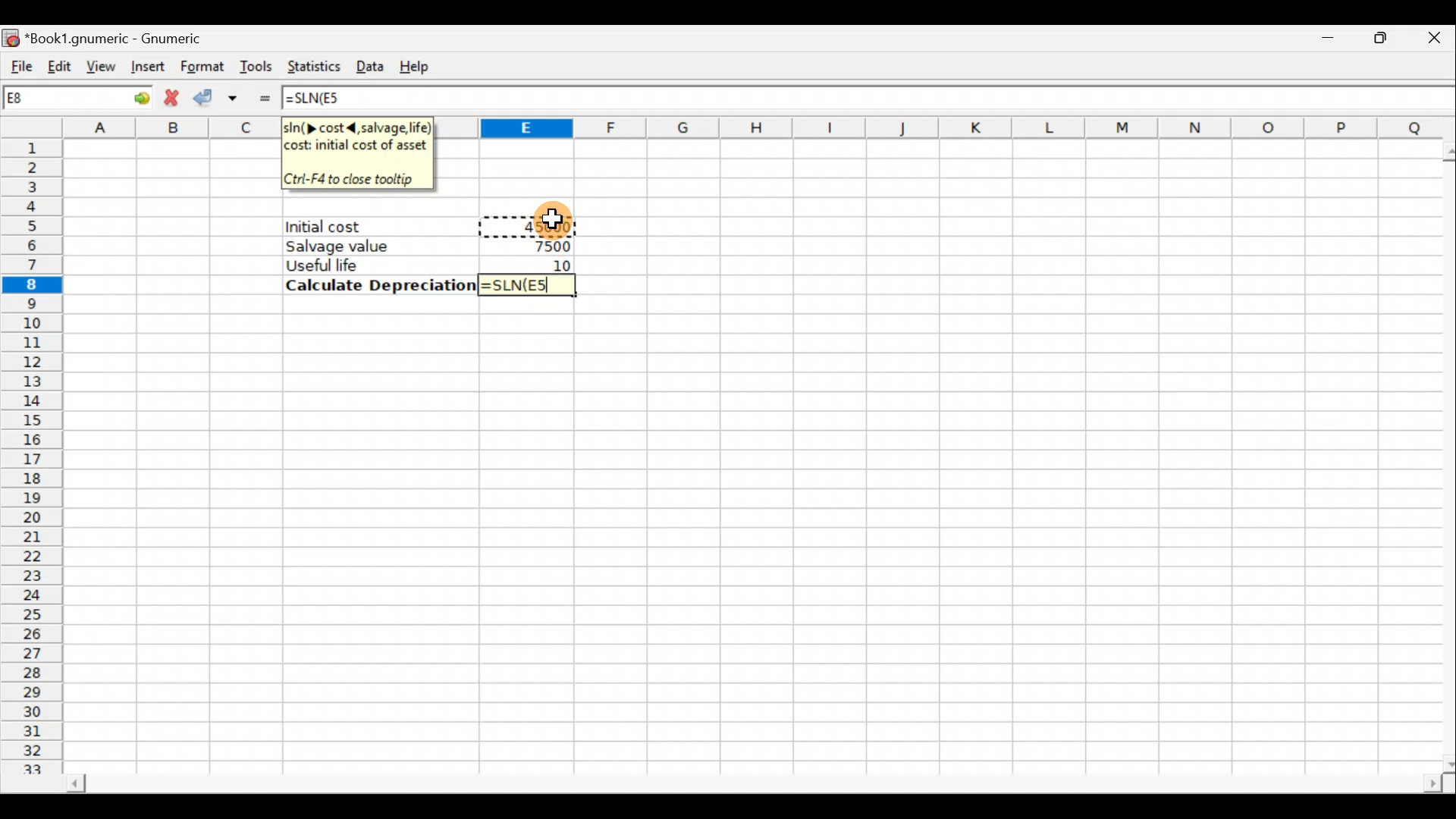  What do you see at coordinates (1373, 41) in the screenshot?
I see `Maximize` at bounding box center [1373, 41].